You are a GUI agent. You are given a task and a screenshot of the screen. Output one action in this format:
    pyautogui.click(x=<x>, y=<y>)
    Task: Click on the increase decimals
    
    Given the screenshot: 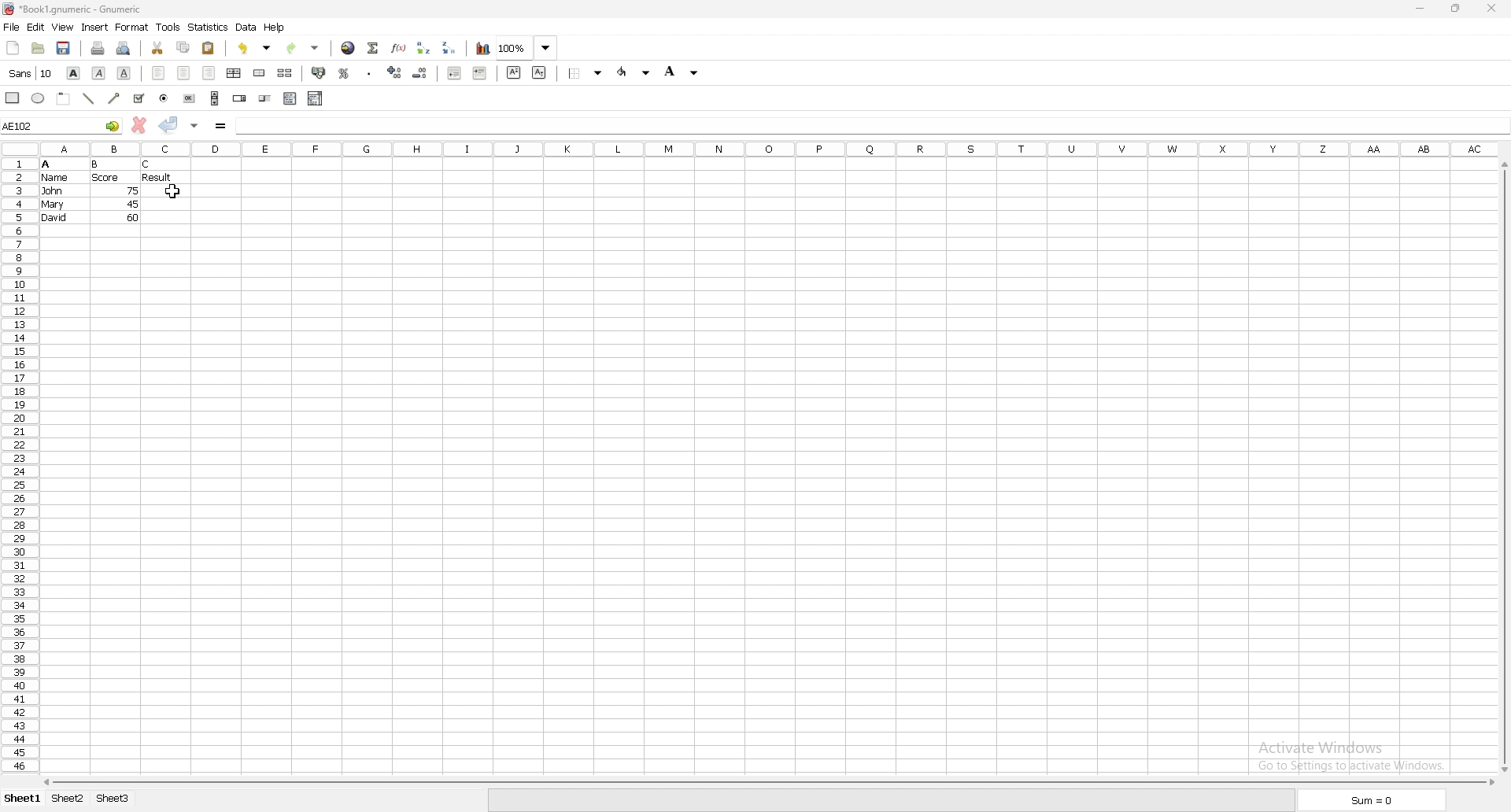 What is the action you would take?
    pyautogui.click(x=397, y=72)
    